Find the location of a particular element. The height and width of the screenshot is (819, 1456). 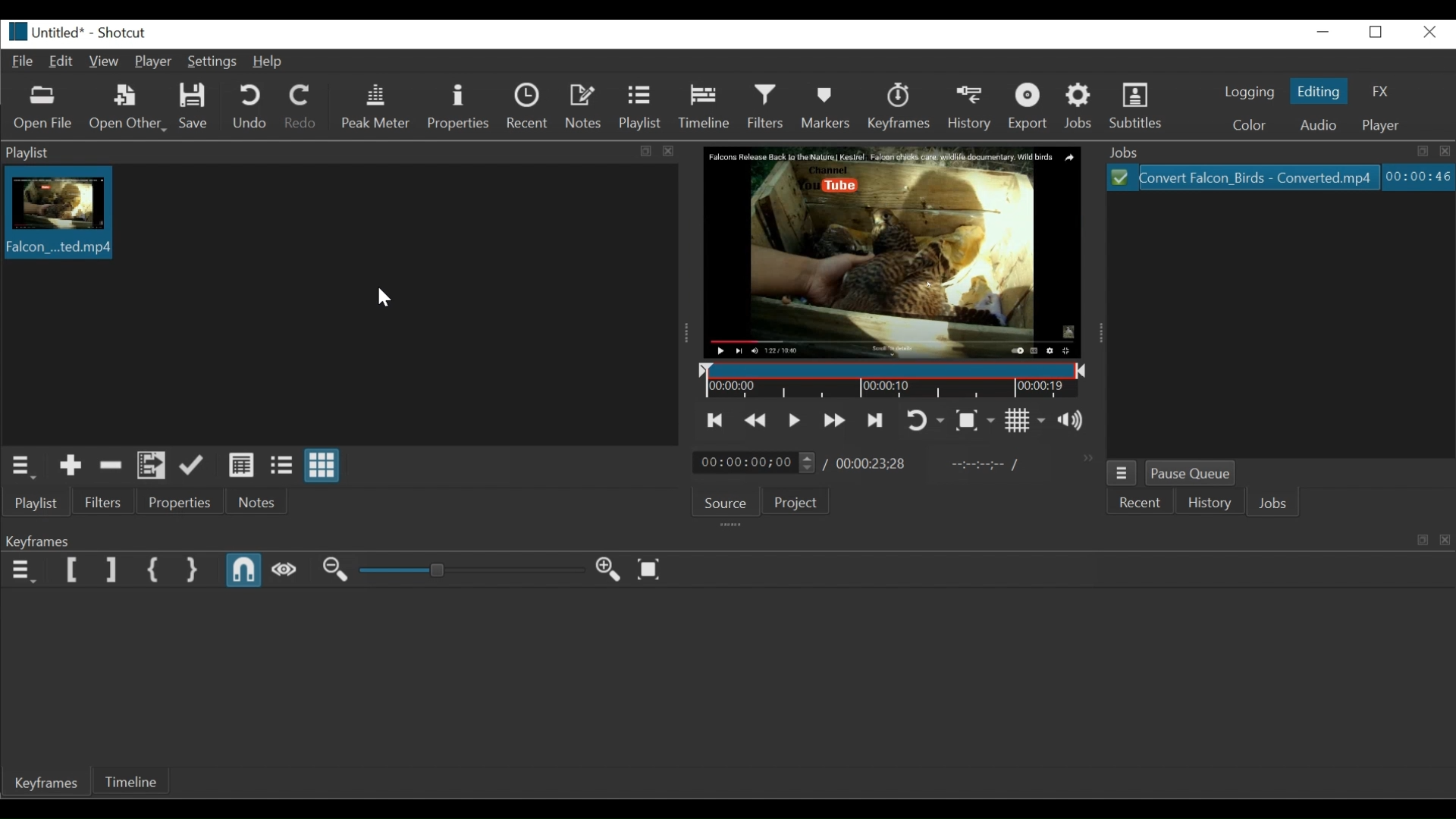

Playlist is located at coordinates (640, 107).